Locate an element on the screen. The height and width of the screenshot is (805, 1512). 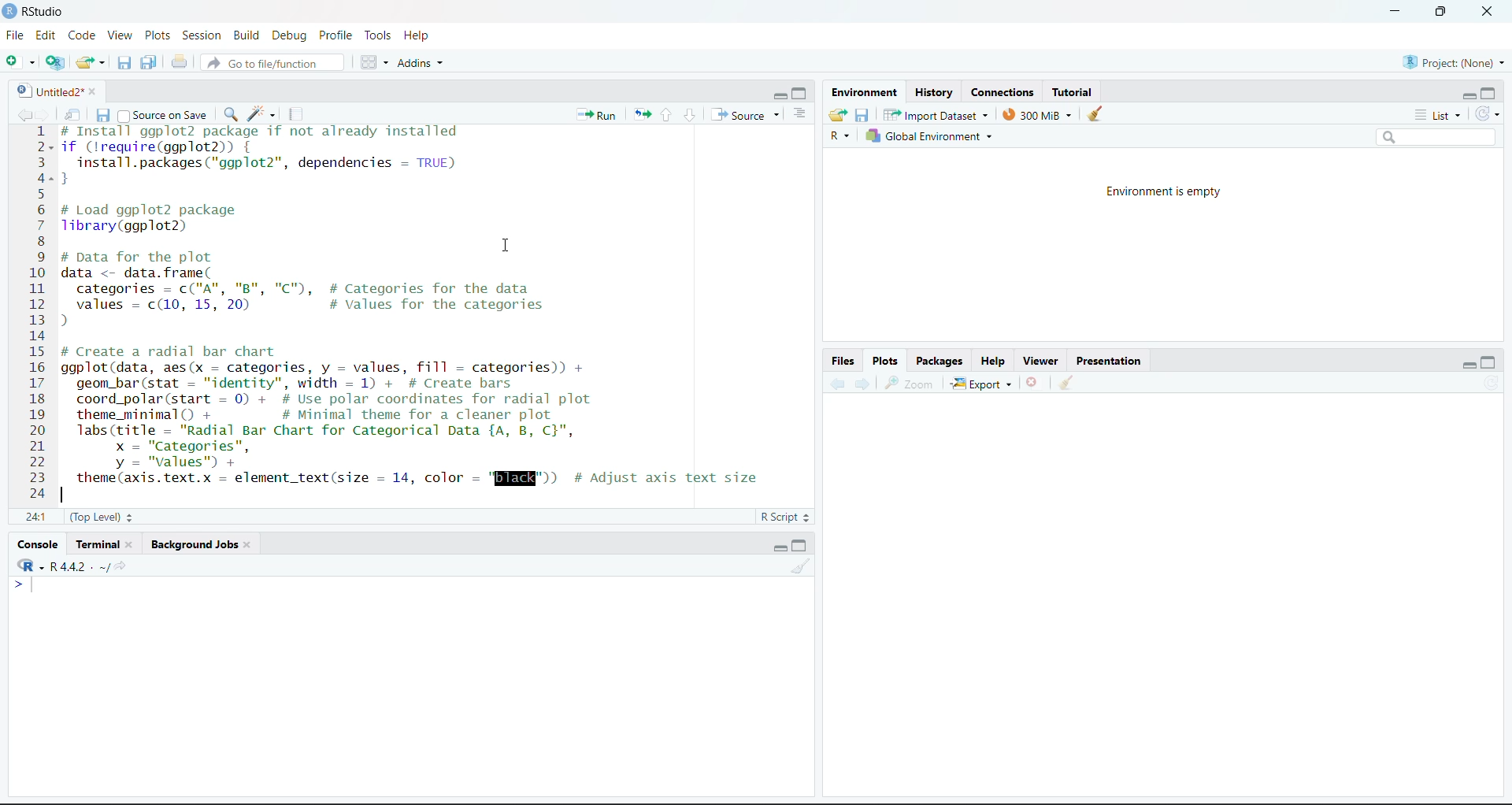
Plots is located at coordinates (157, 35).